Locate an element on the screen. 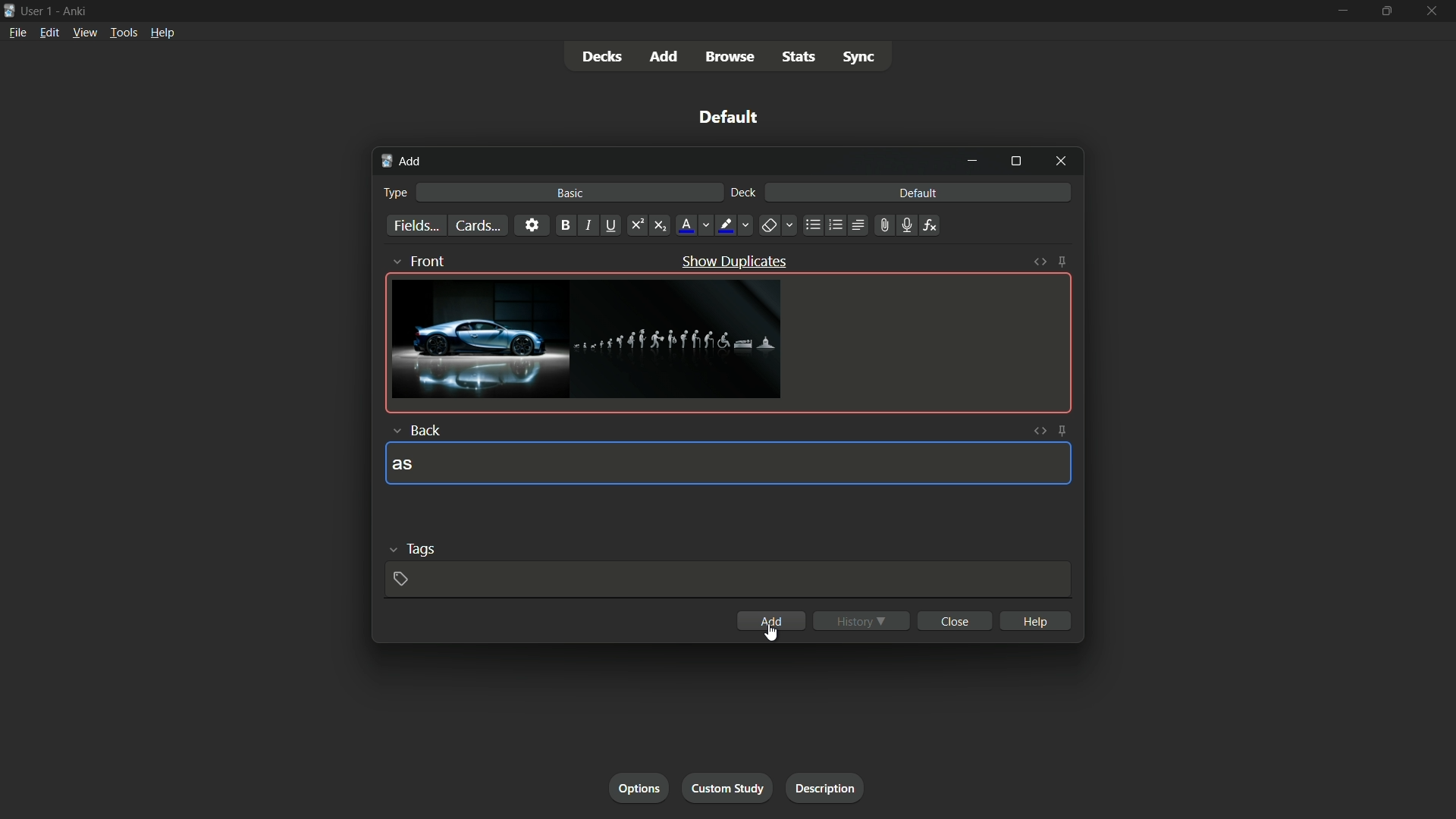 This screenshot has width=1456, height=819. basic is located at coordinates (571, 194).